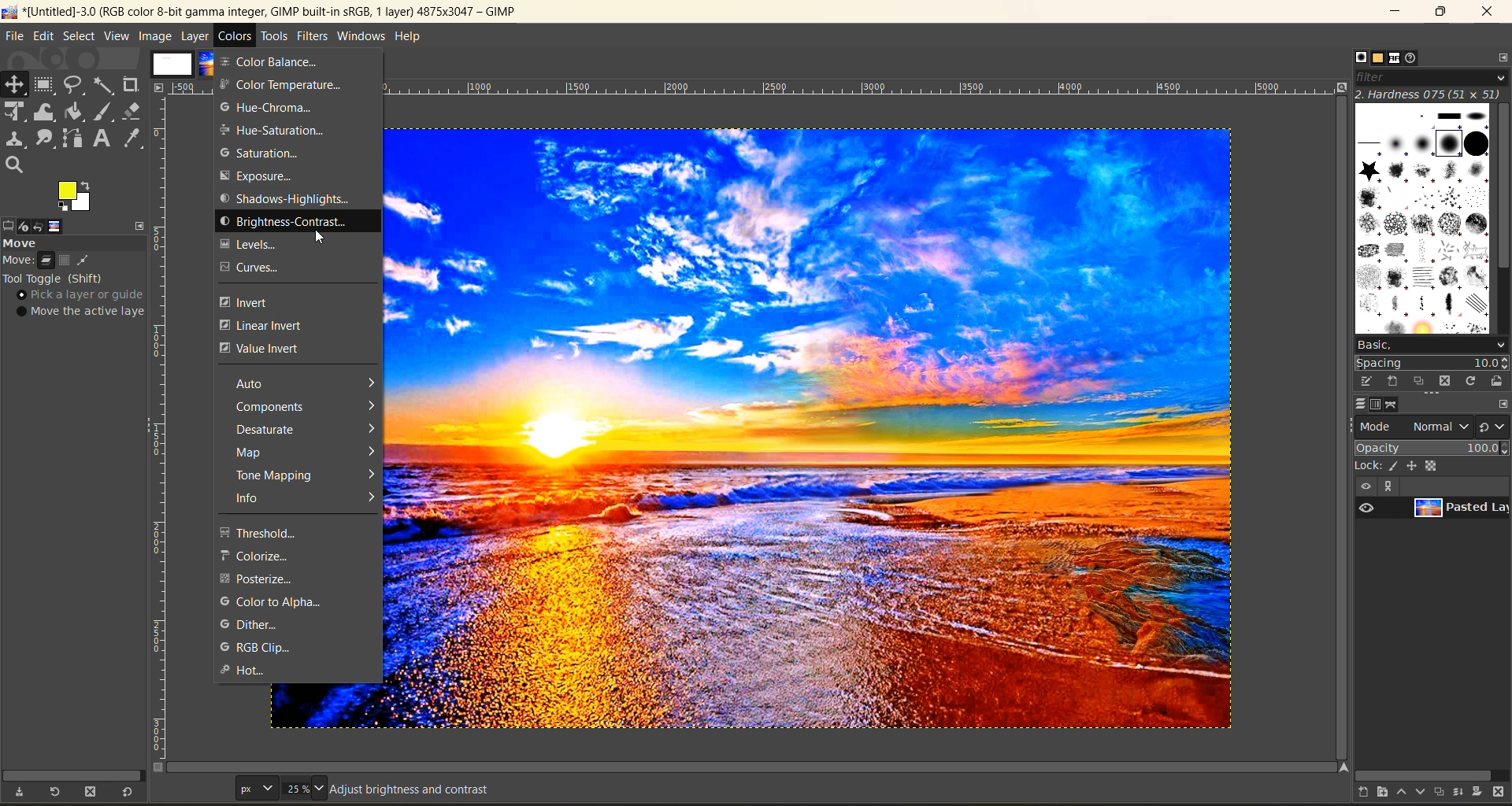 This screenshot has height=806, width=1512. I want to click on hot, so click(247, 671).